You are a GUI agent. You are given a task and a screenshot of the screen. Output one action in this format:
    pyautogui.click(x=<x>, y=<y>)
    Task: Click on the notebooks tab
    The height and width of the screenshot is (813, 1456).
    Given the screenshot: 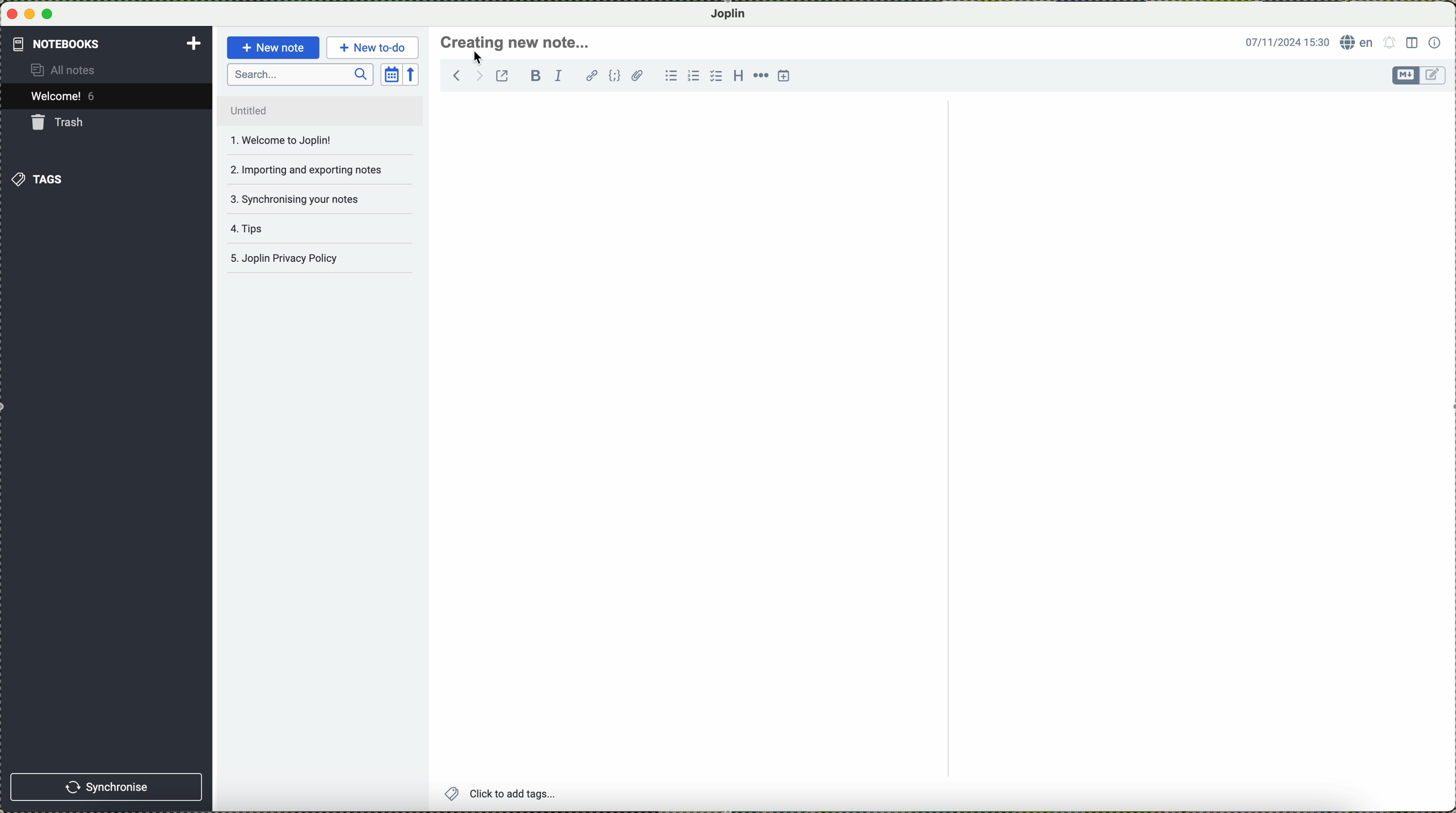 What is the action you would take?
    pyautogui.click(x=107, y=44)
    